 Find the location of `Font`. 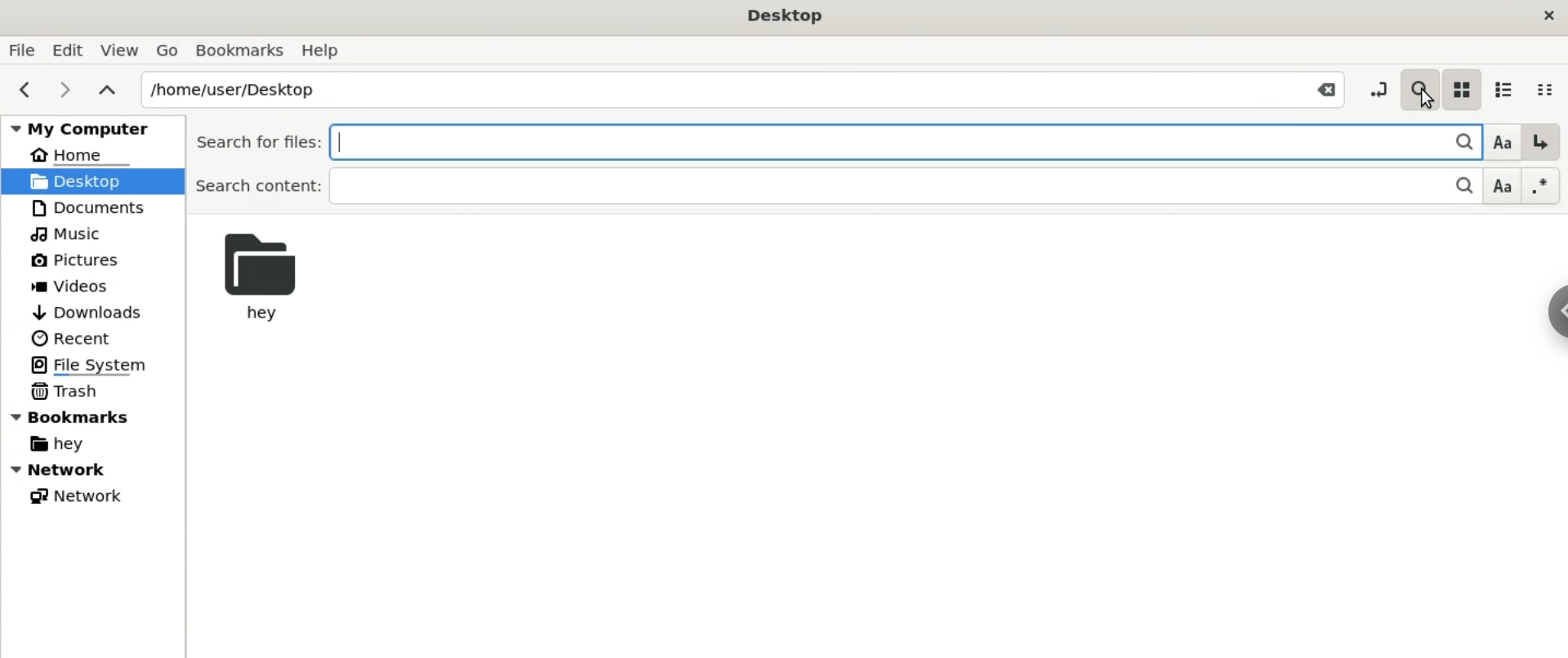

Font is located at coordinates (1499, 141).